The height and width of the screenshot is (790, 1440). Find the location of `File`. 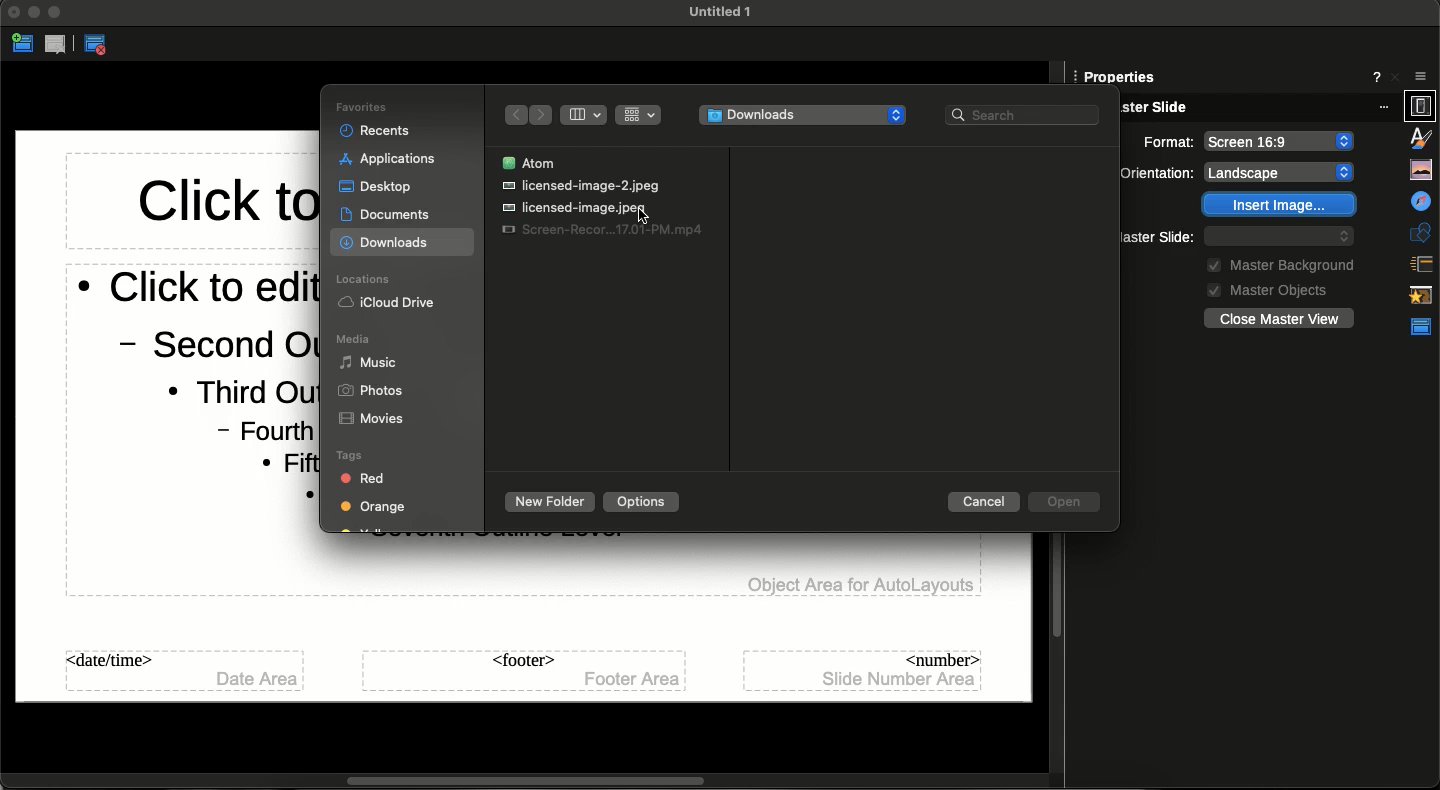

File is located at coordinates (529, 161).